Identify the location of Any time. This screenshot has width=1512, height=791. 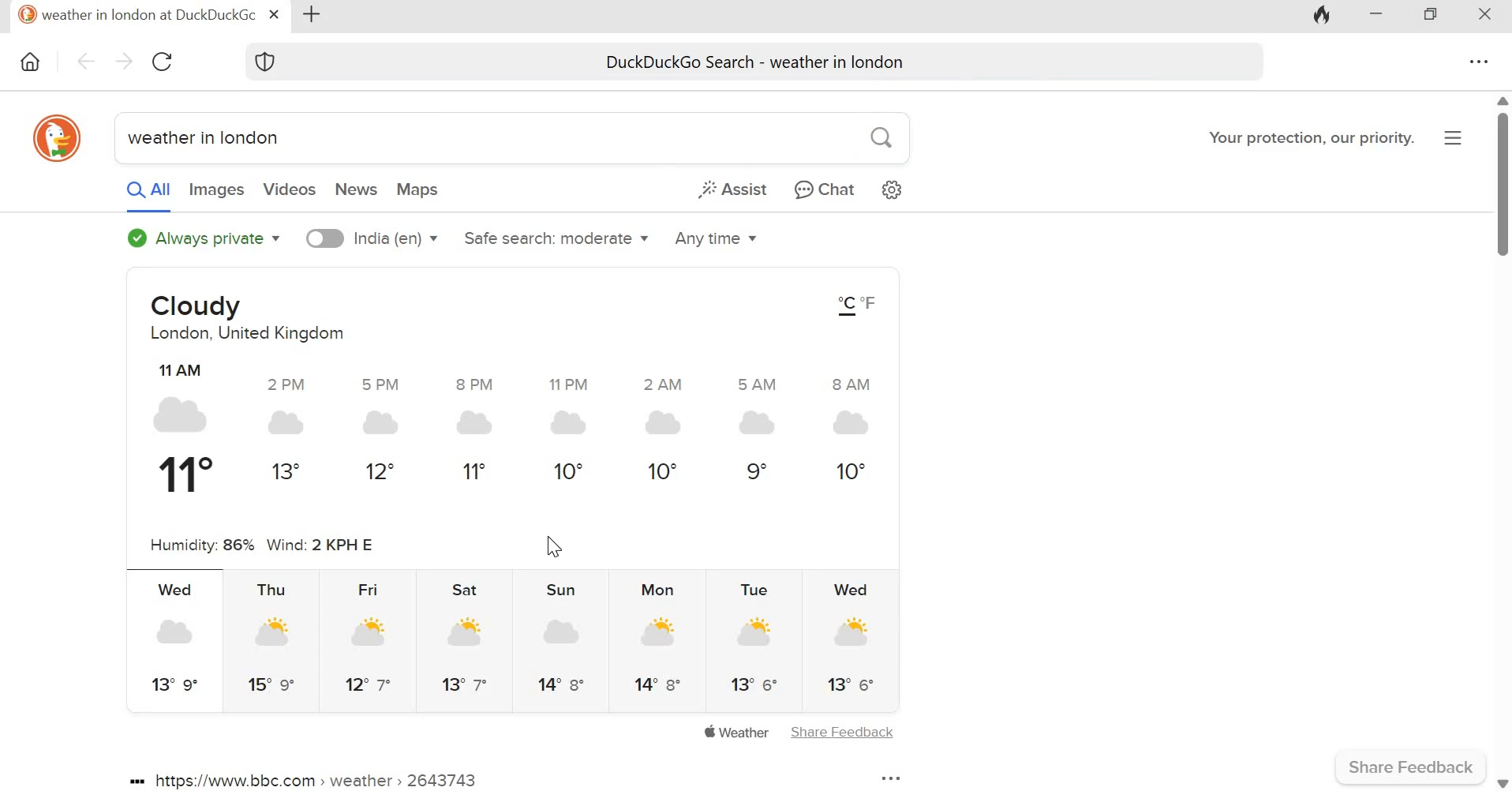
(712, 239).